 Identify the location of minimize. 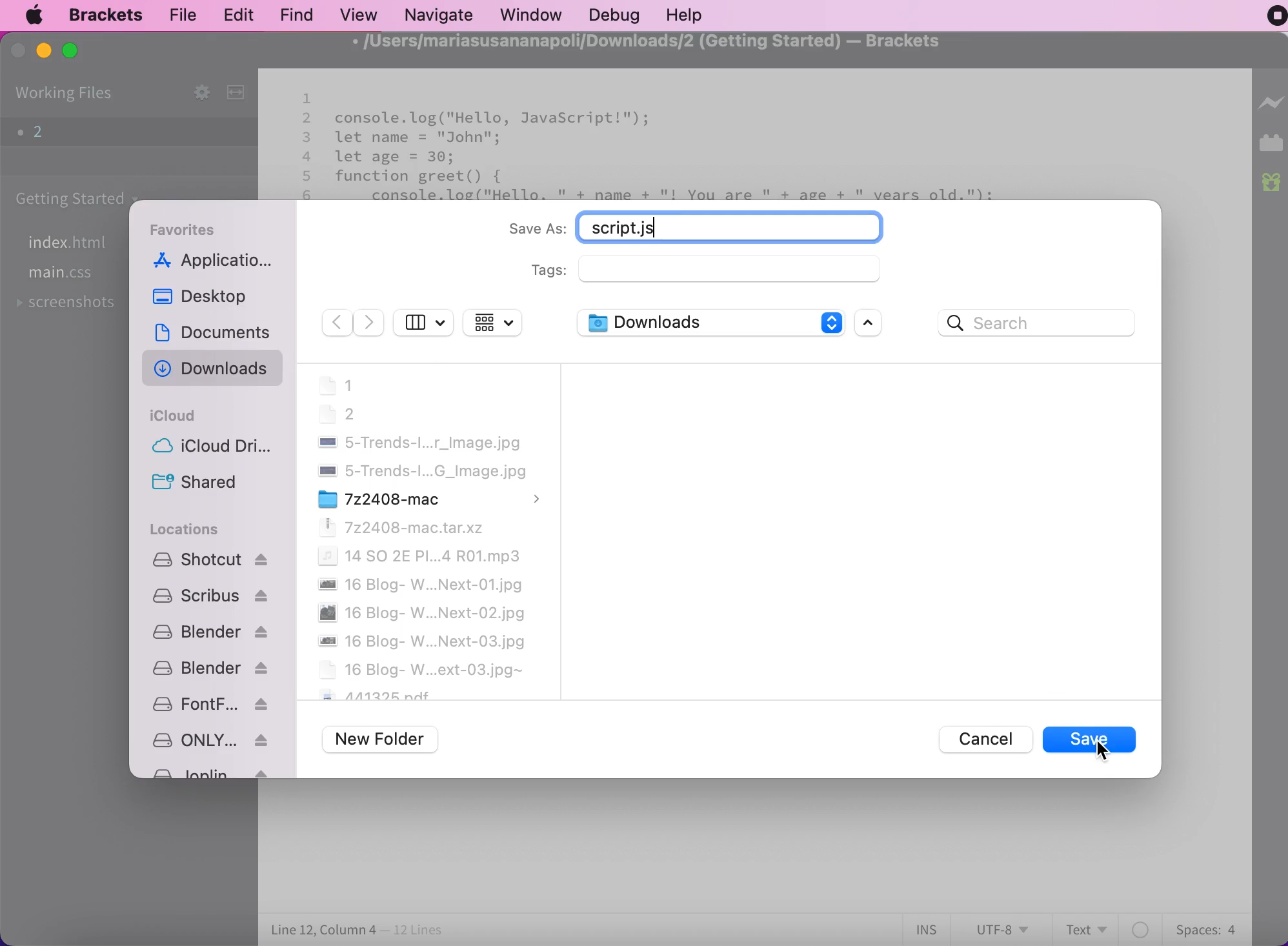
(43, 51).